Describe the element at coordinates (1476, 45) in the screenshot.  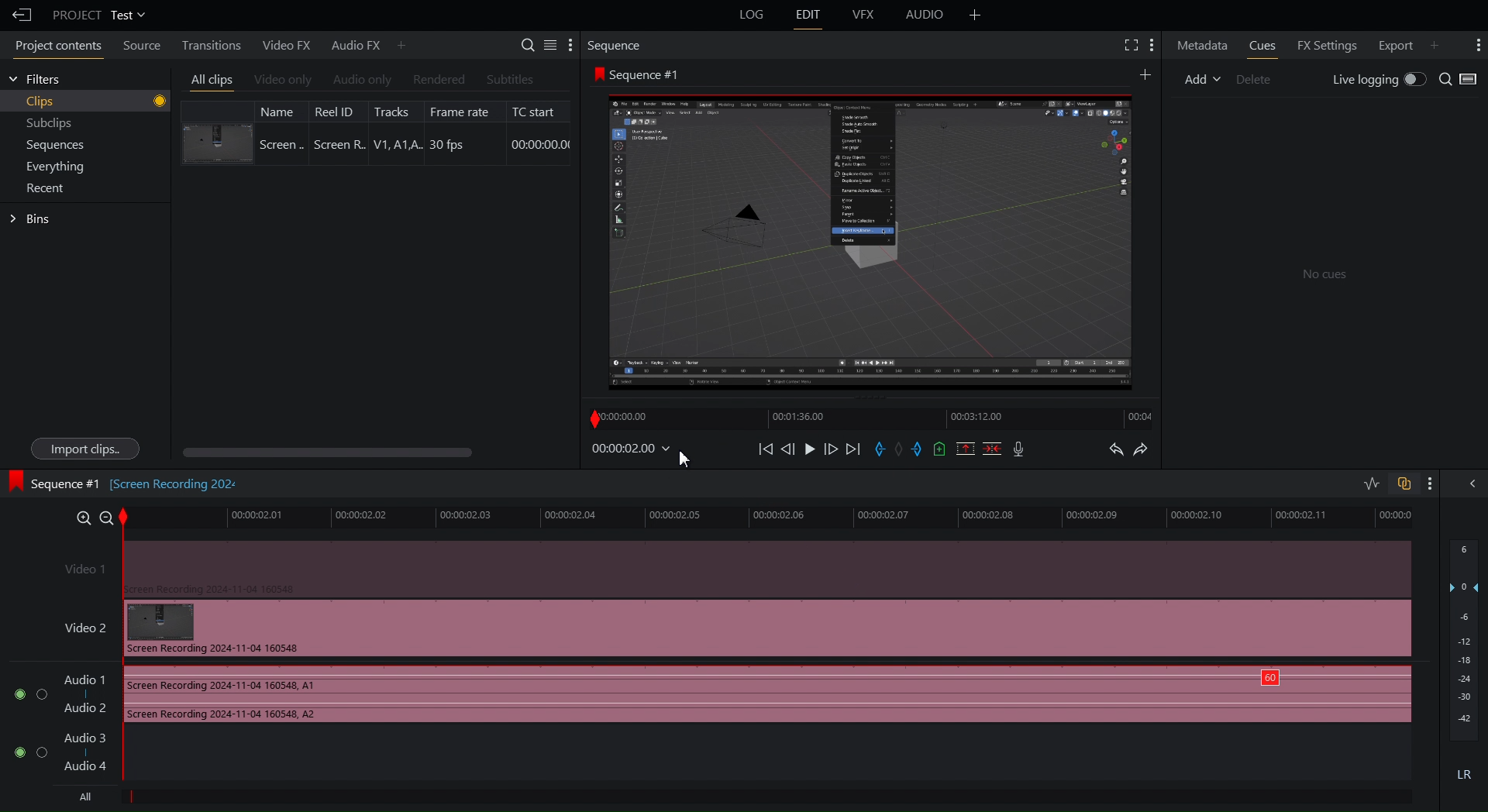
I see `More` at that location.